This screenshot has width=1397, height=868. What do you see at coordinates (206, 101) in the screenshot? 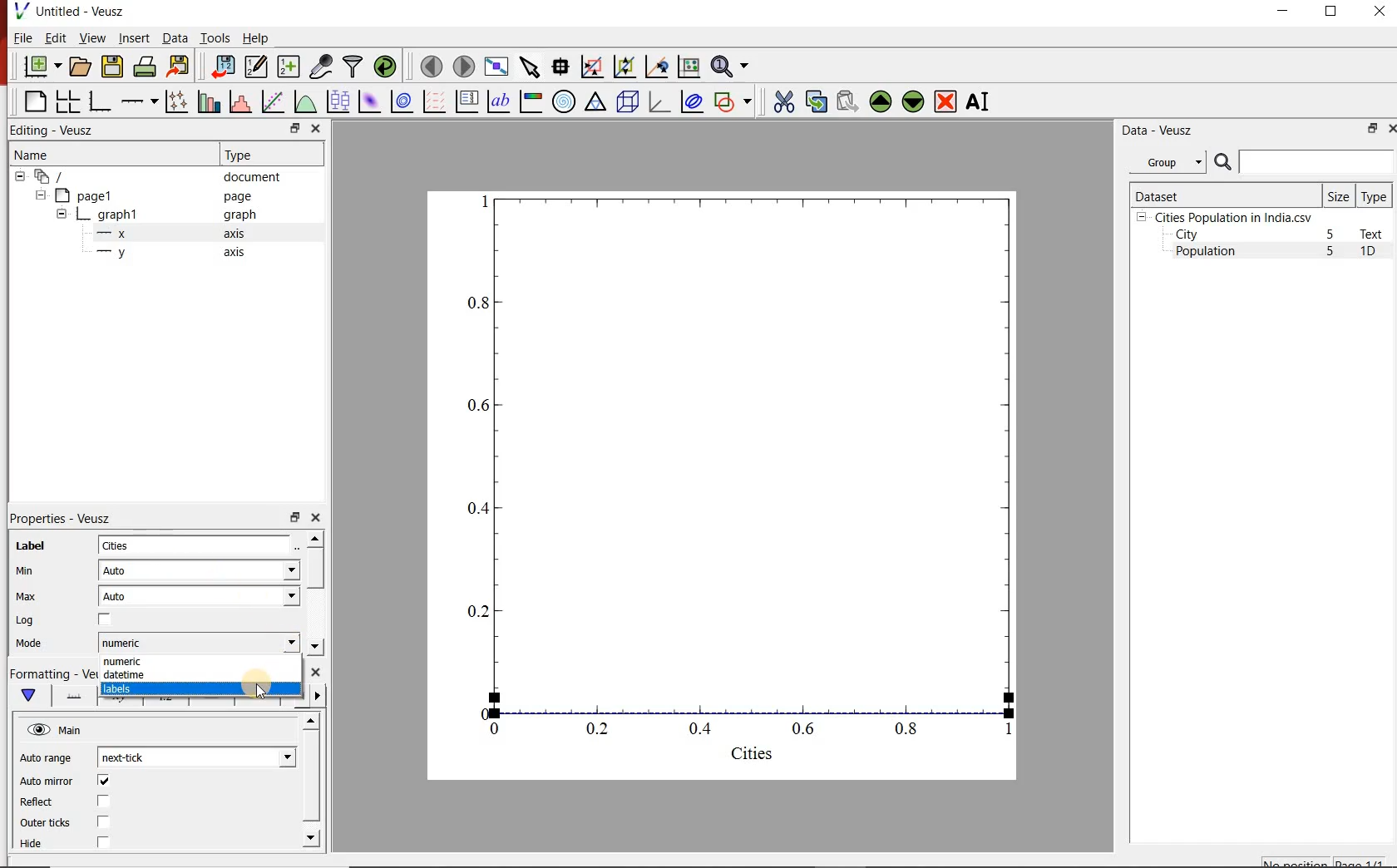
I see `plot bar charts` at bounding box center [206, 101].